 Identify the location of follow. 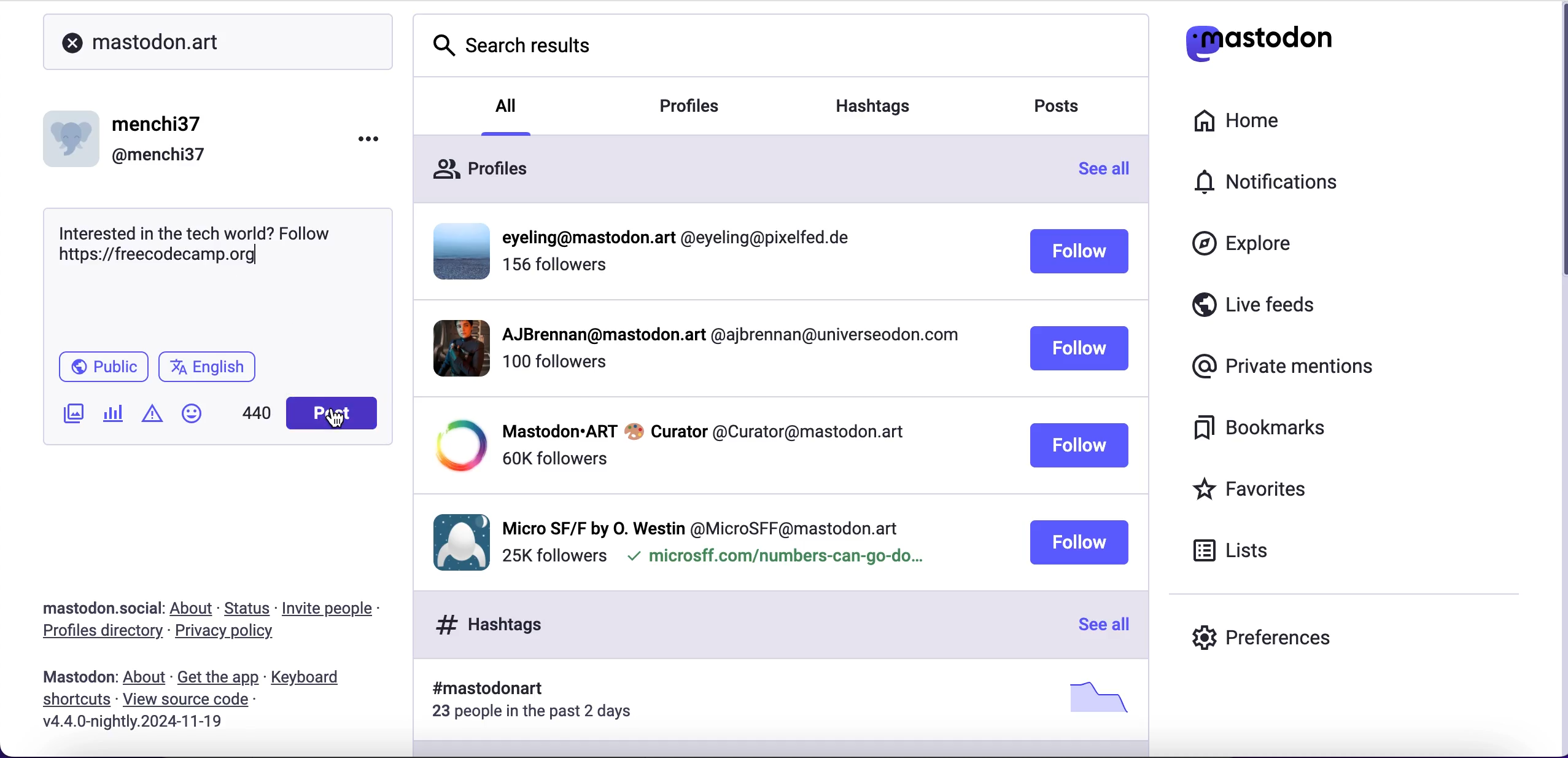
(1077, 348).